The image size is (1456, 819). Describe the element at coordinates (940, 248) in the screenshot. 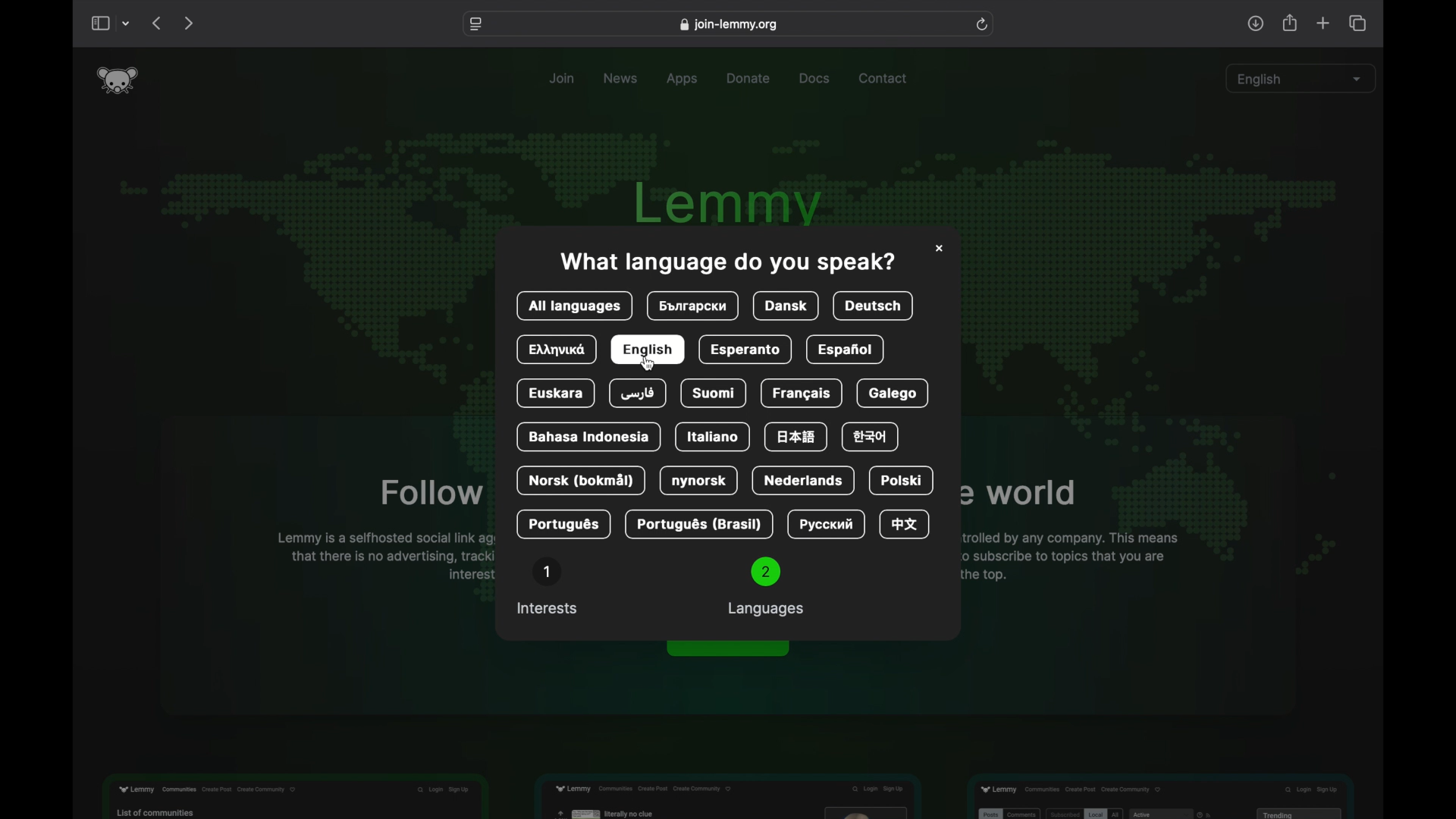

I see `close` at that location.